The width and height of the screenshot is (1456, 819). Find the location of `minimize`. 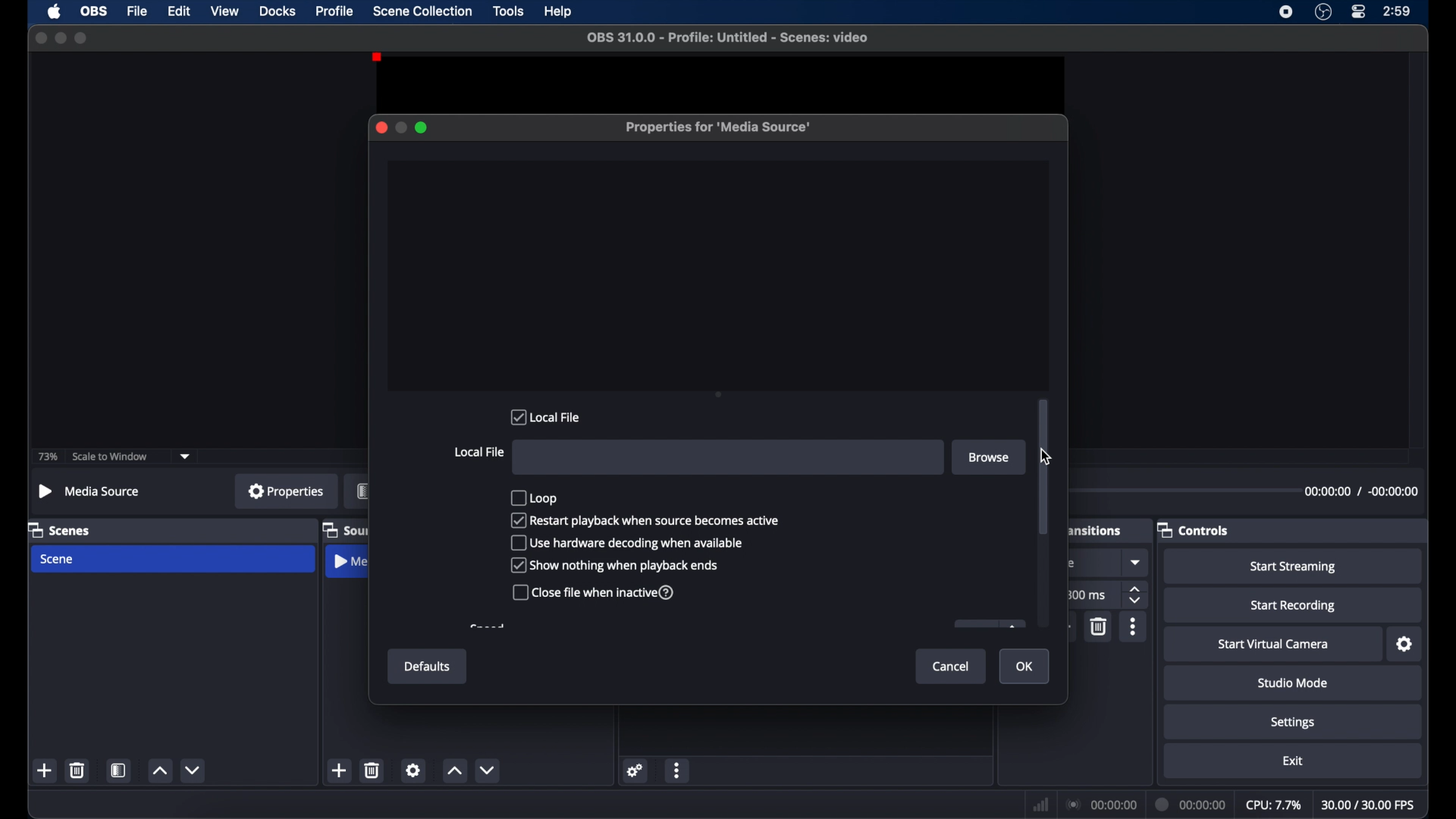

minimize is located at coordinates (60, 38).